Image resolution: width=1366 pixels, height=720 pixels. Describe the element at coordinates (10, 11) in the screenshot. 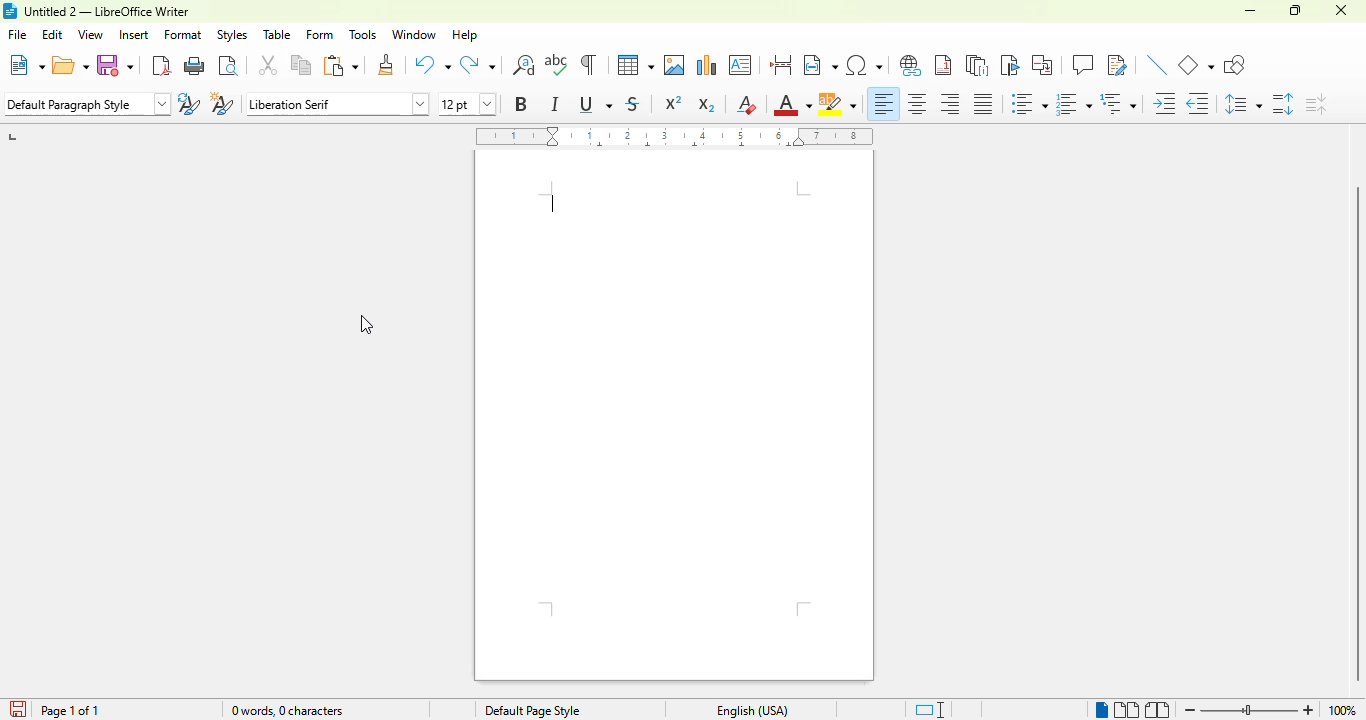

I see `logo` at that location.